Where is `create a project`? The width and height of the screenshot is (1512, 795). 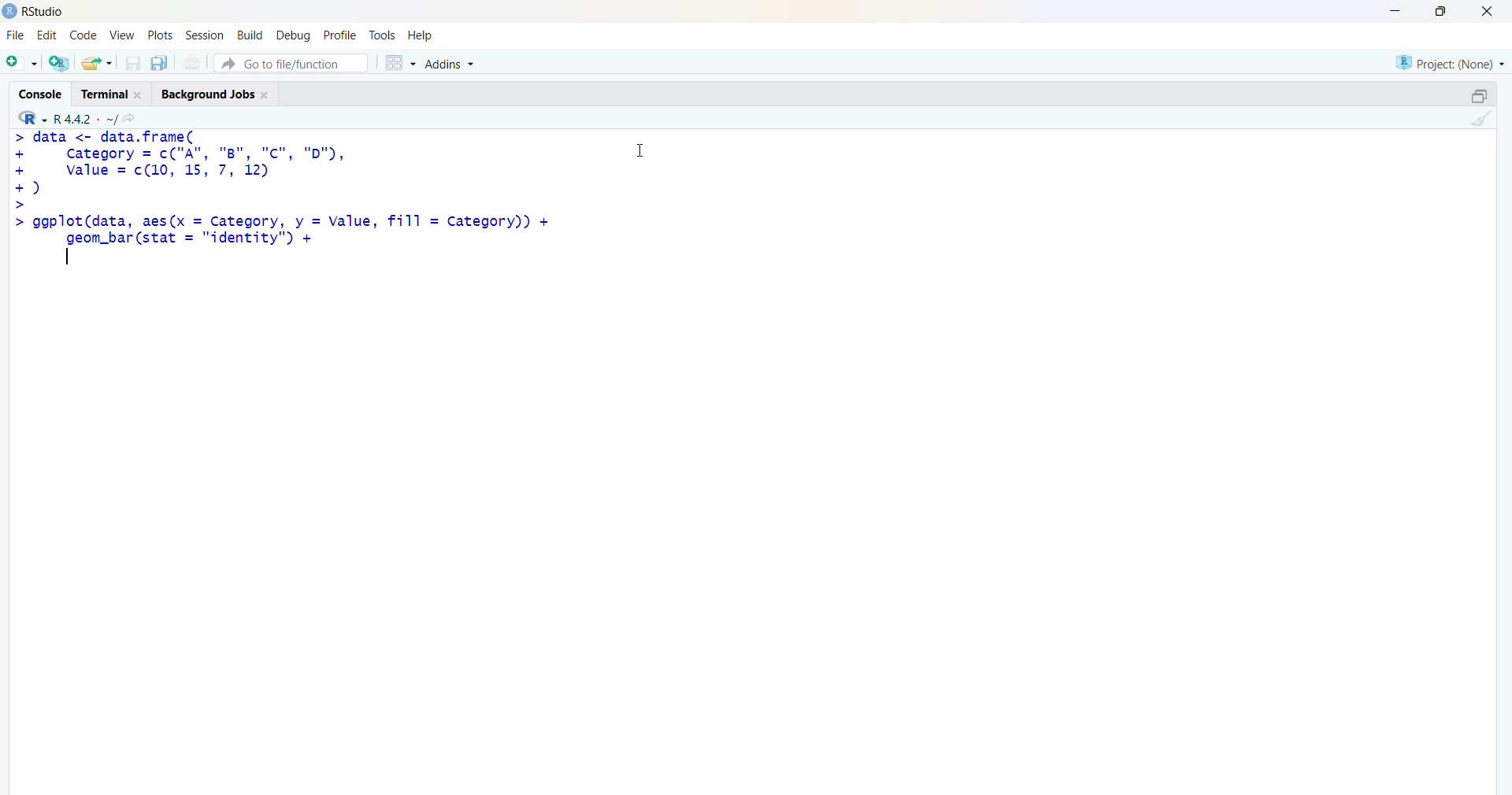 create a project is located at coordinates (58, 62).